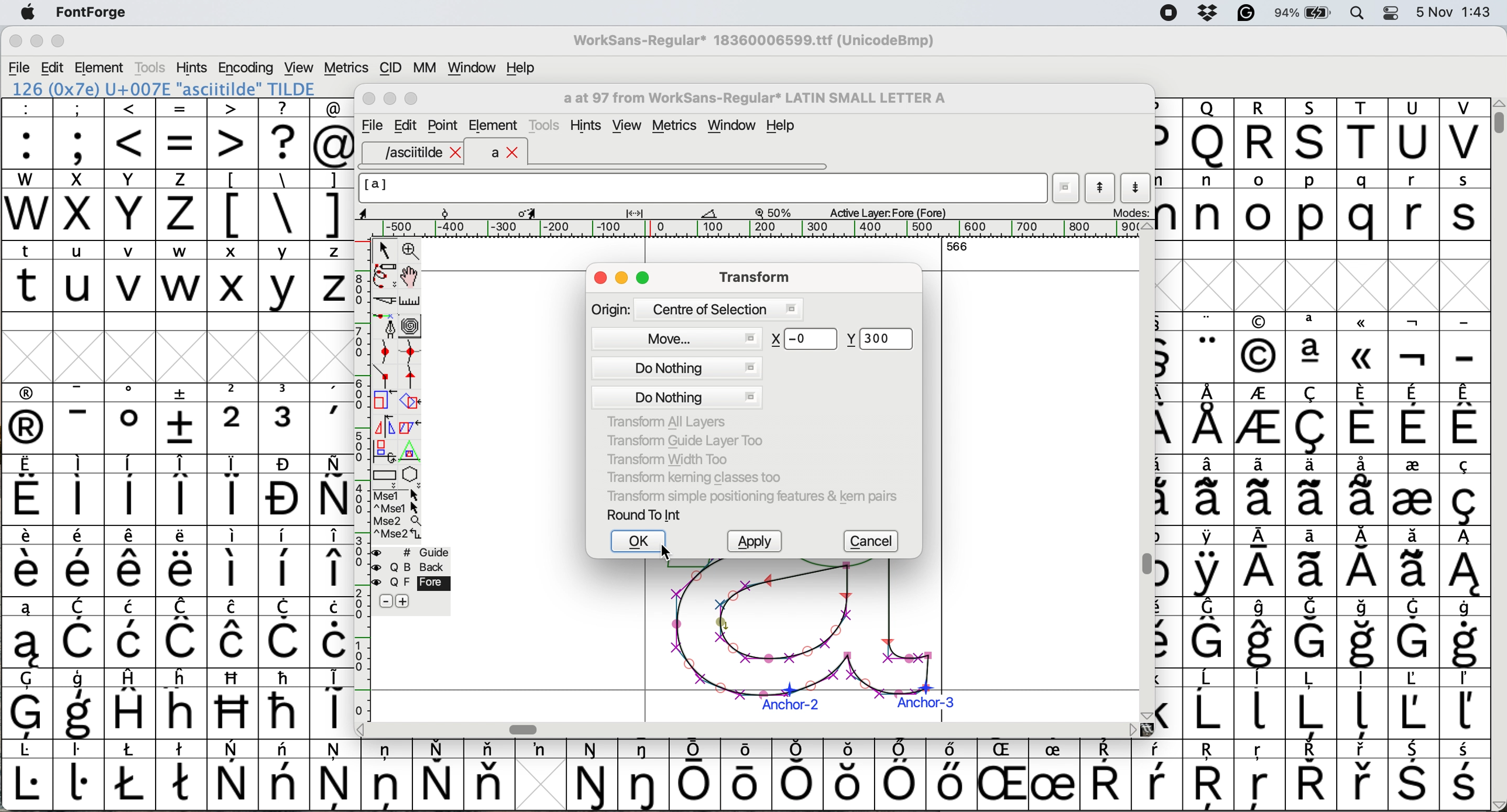  I want to click on symbol, so click(133, 632).